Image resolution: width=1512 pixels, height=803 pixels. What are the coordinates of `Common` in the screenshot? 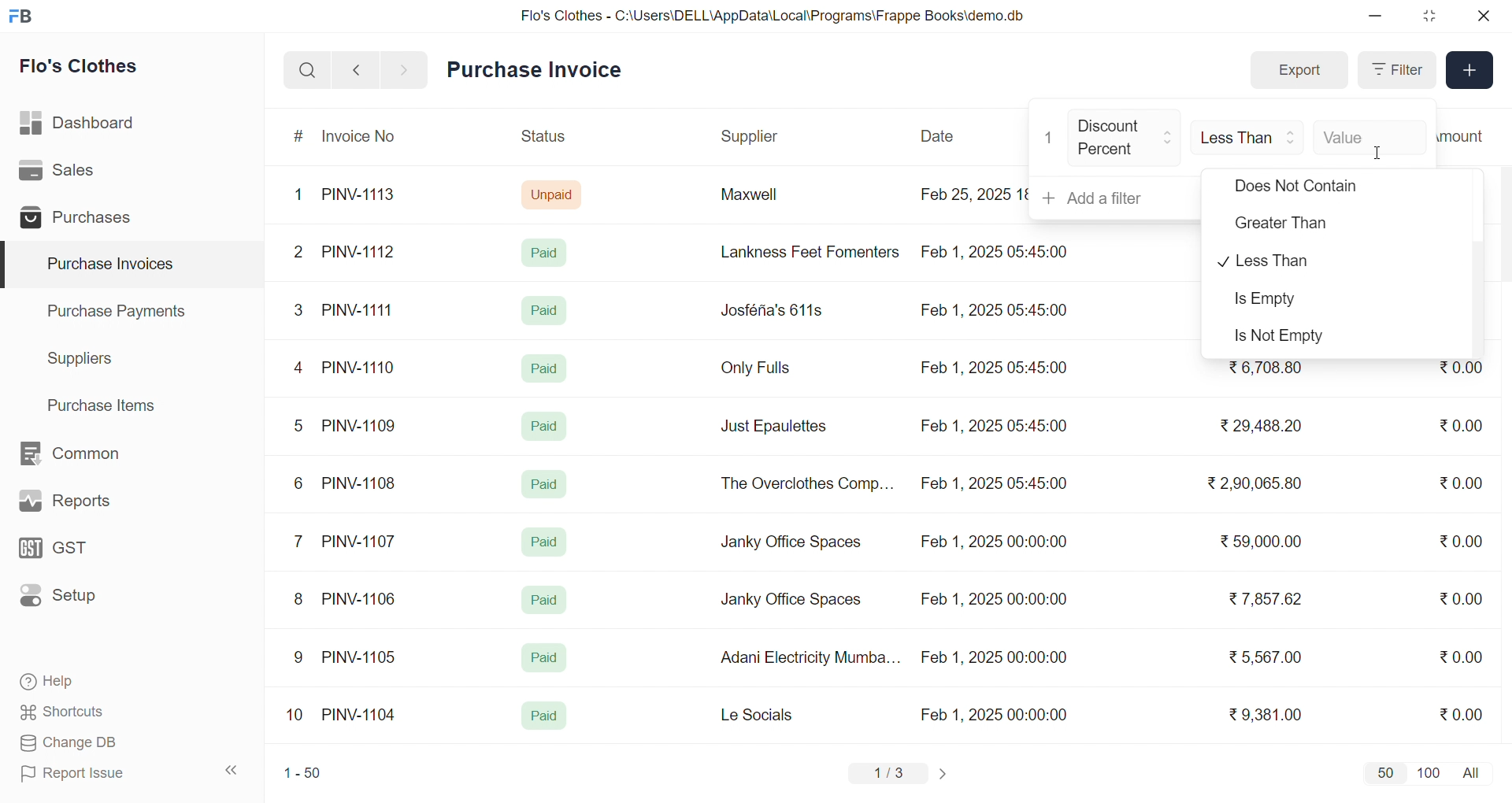 It's located at (87, 454).